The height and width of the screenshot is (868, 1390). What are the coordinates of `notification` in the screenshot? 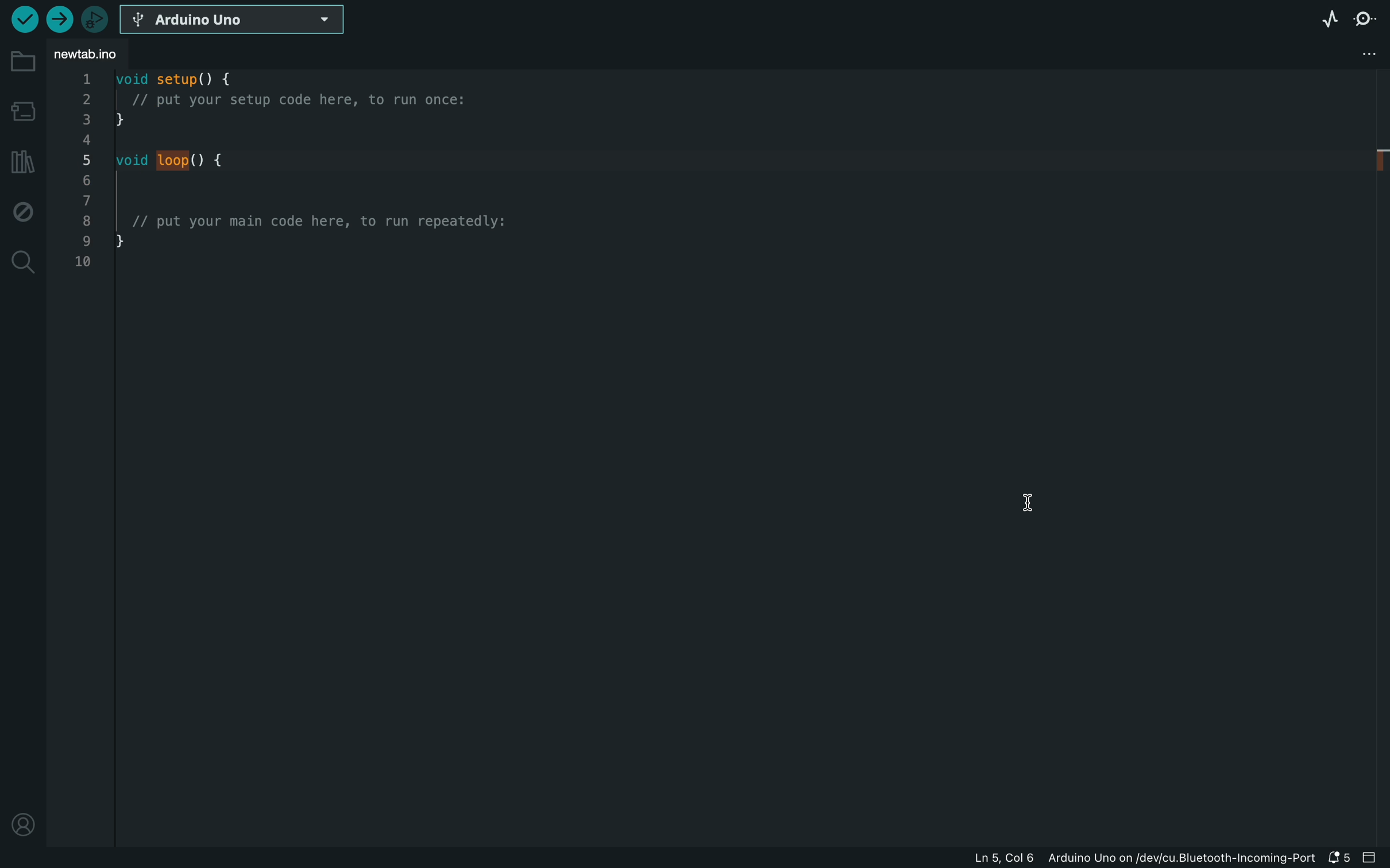 It's located at (1341, 856).